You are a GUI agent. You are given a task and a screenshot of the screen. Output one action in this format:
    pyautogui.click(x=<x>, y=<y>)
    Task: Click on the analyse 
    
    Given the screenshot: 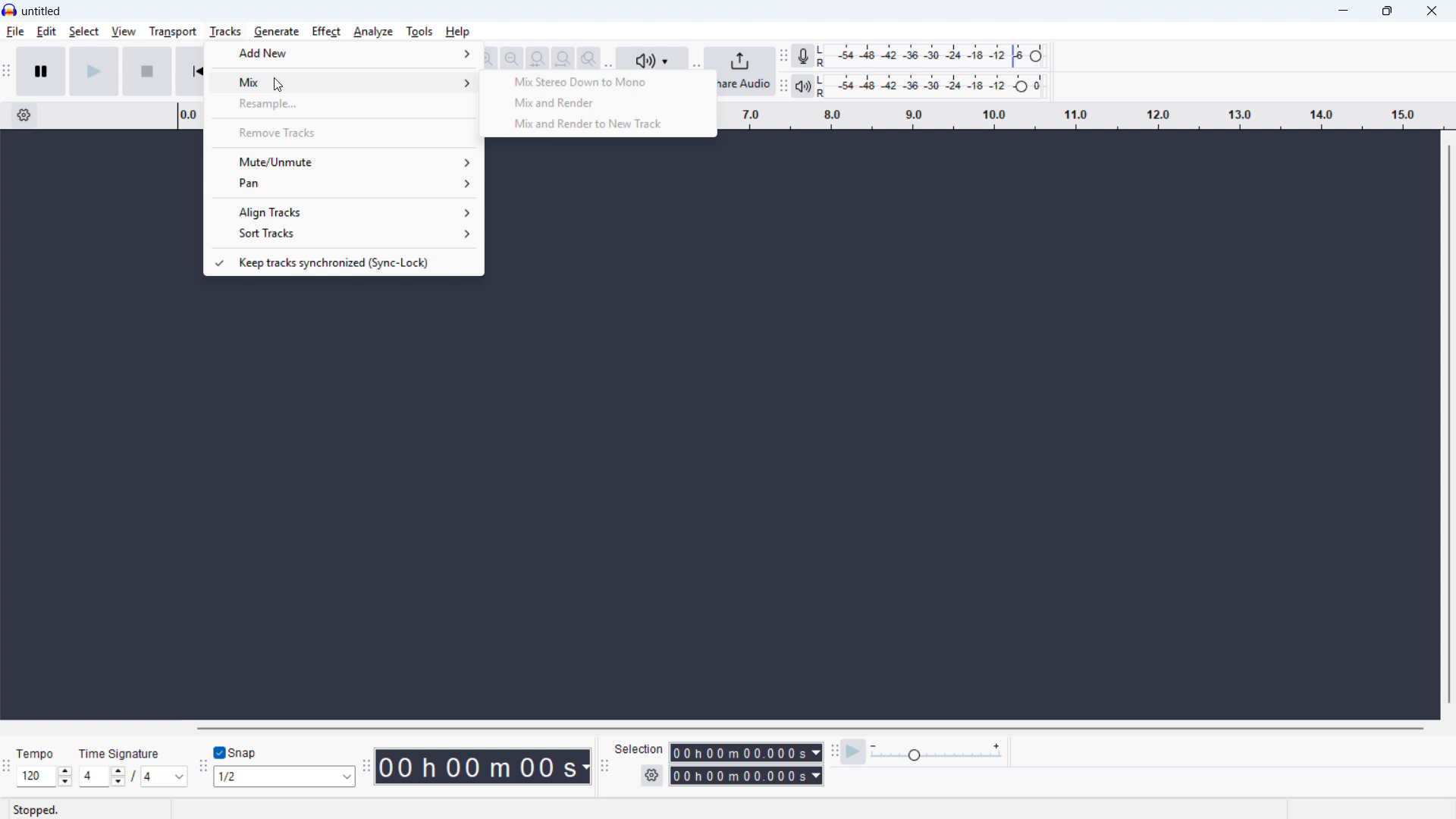 What is the action you would take?
    pyautogui.click(x=374, y=31)
    